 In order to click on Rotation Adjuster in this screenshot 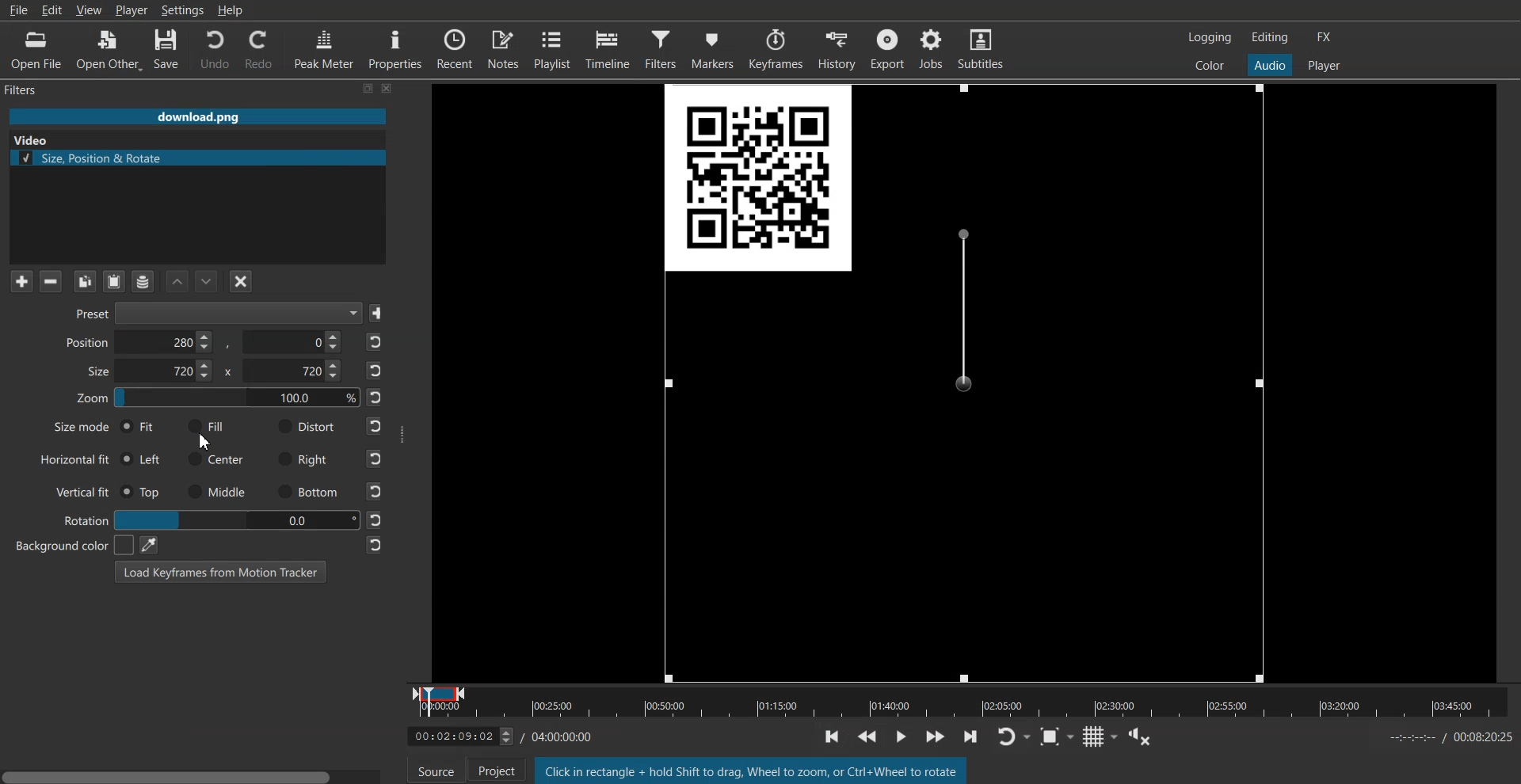, I will do `click(84, 519)`.